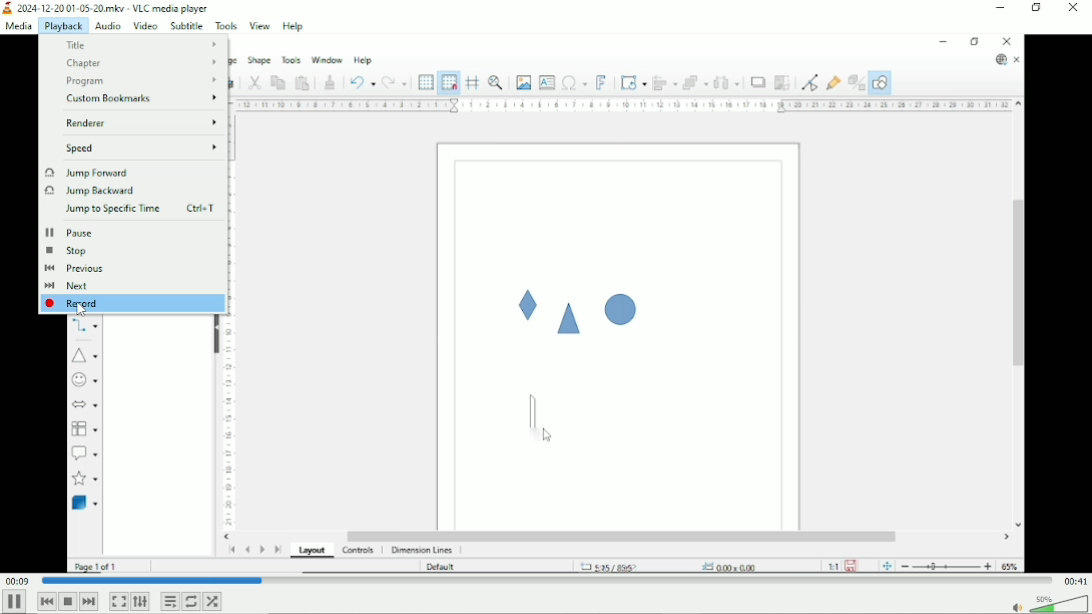  I want to click on Title, so click(140, 45).